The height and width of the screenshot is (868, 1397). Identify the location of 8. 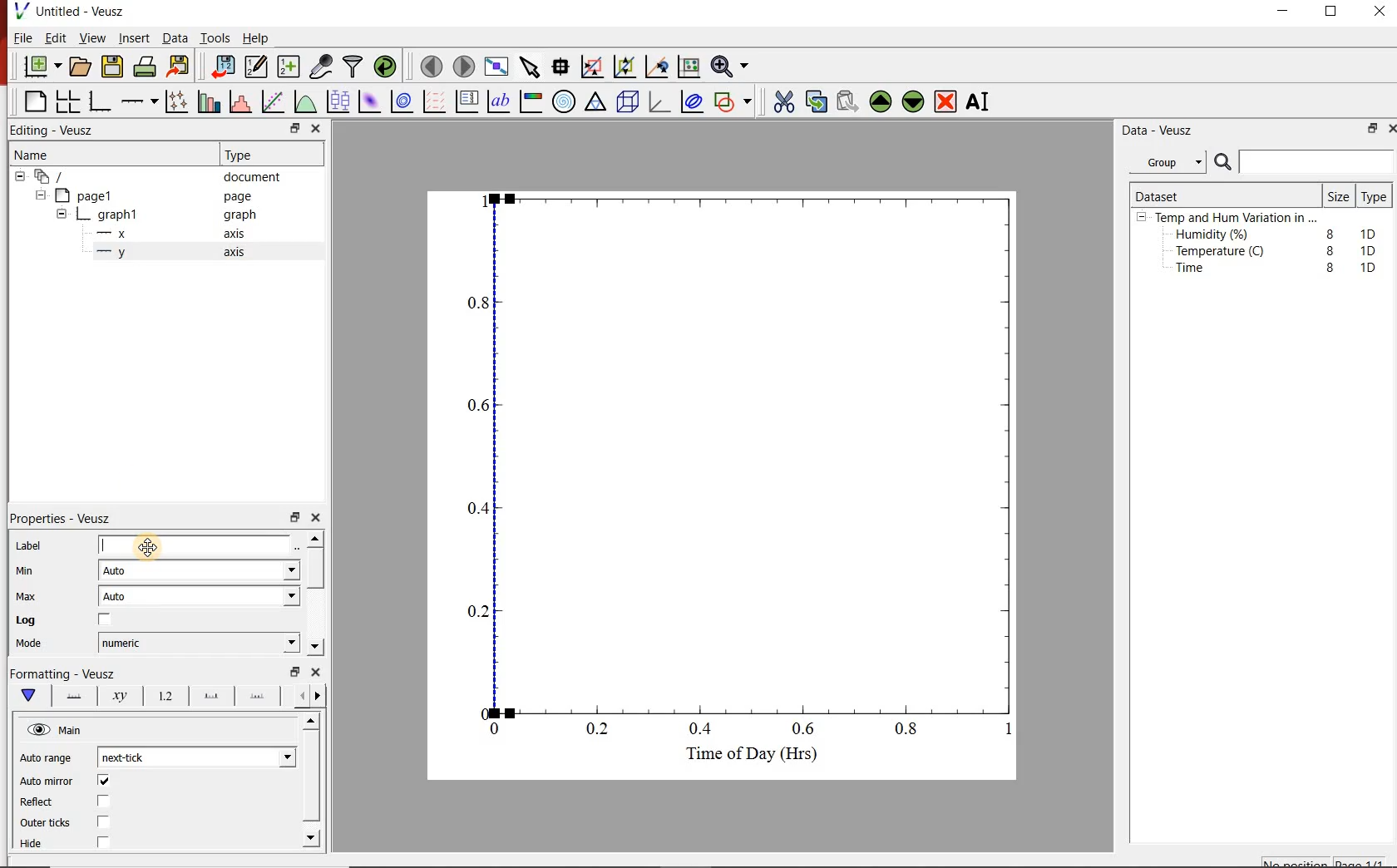
(1327, 249).